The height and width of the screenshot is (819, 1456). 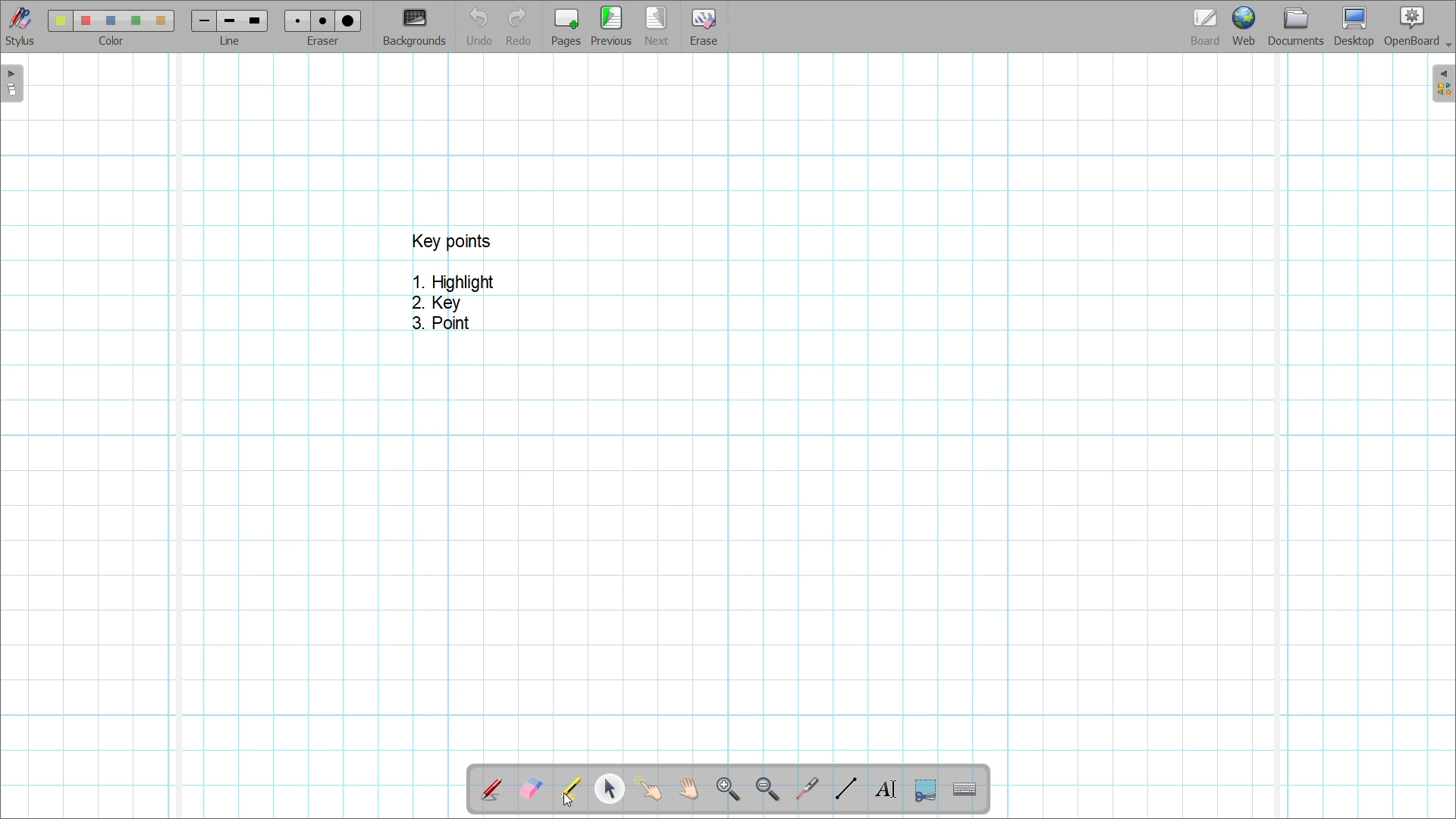 What do you see at coordinates (566, 27) in the screenshot?
I see `Add page` at bounding box center [566, 27].